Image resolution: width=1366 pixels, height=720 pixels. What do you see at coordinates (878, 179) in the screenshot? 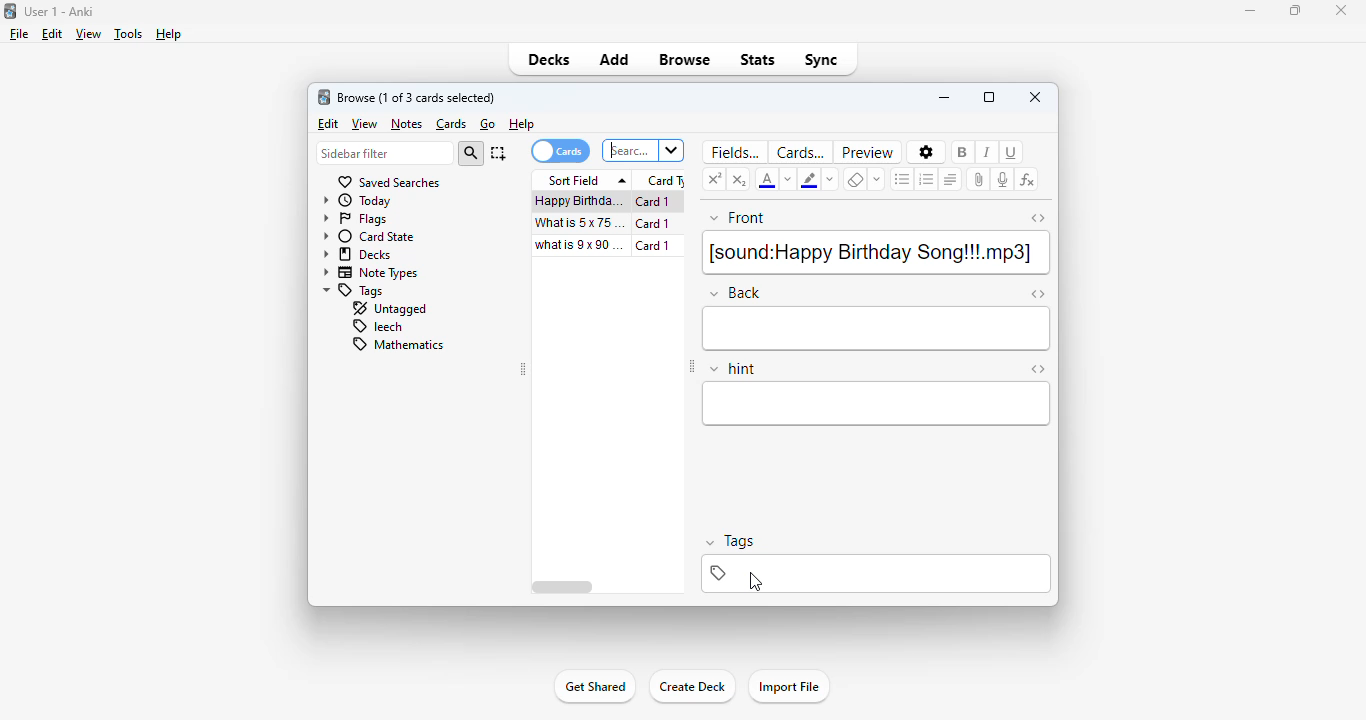
I see `select formatting to remove` at bounding box center [878, 179].